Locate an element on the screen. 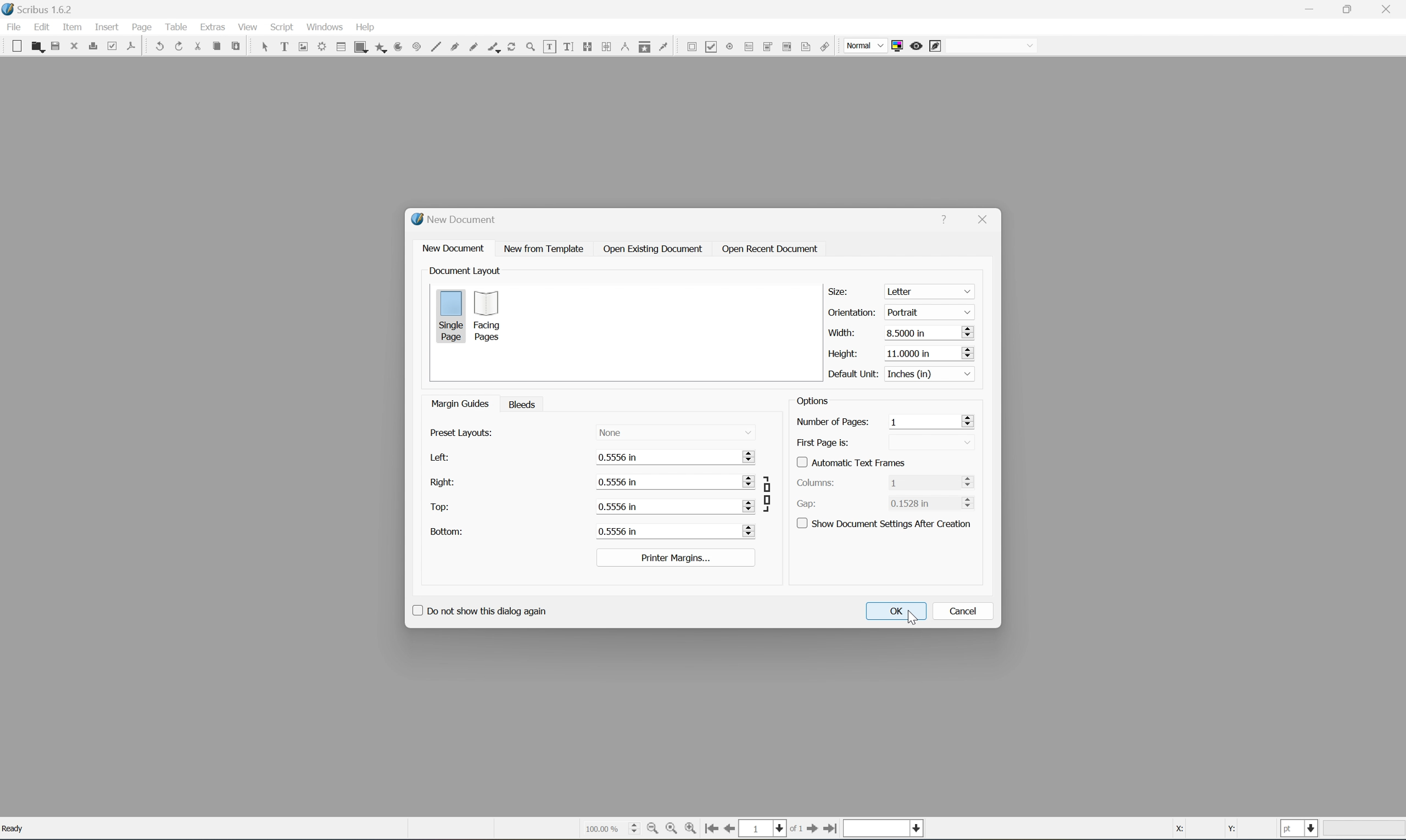  go to first page is located at coordinates (713, 830).